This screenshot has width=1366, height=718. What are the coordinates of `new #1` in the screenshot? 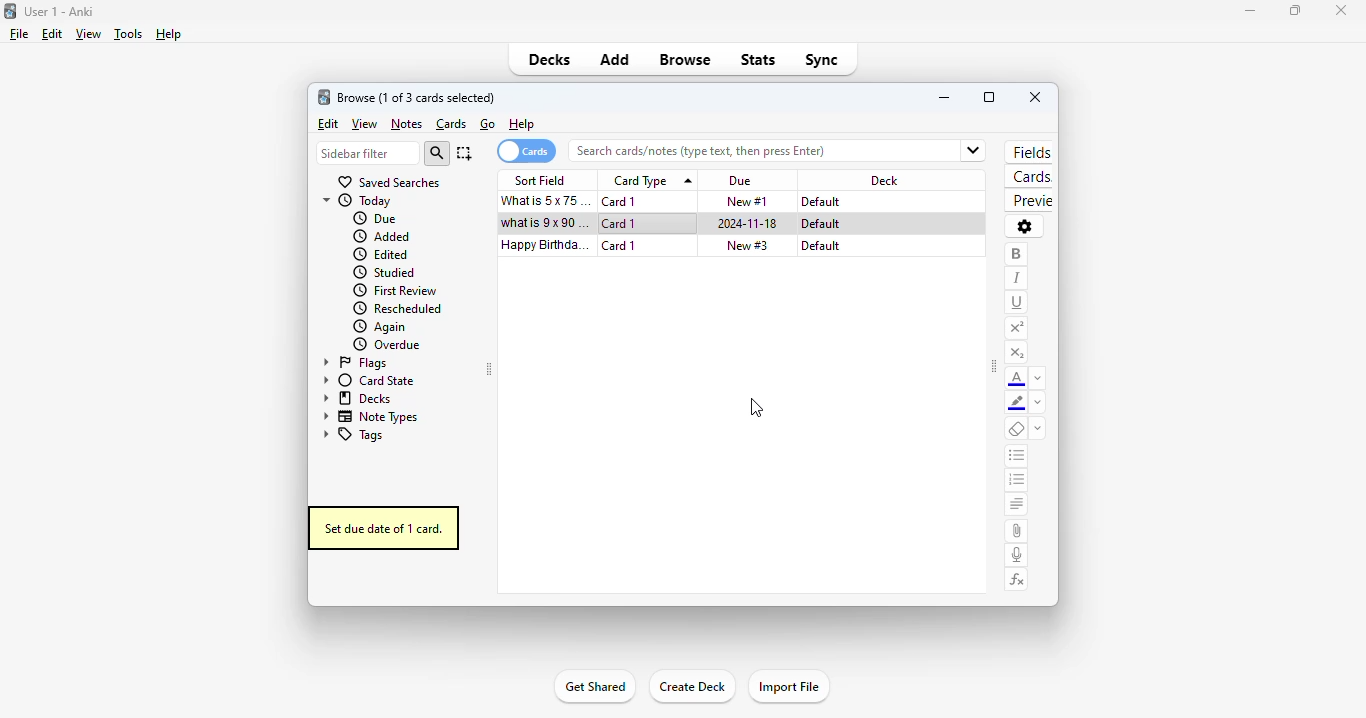 It's located at (748, 202).